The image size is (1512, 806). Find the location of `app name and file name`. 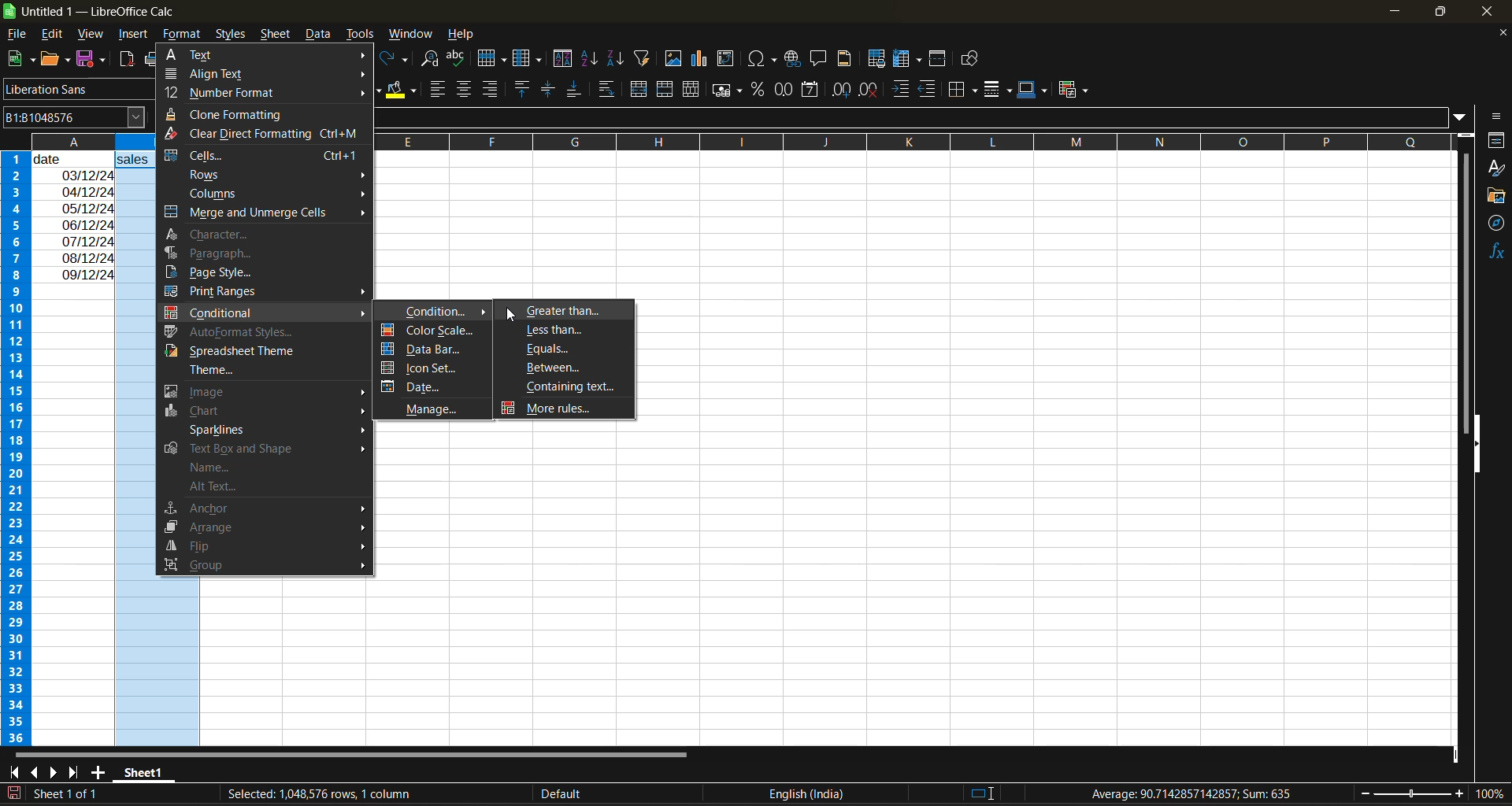

app name and file name is located at coordinates (101, 12).